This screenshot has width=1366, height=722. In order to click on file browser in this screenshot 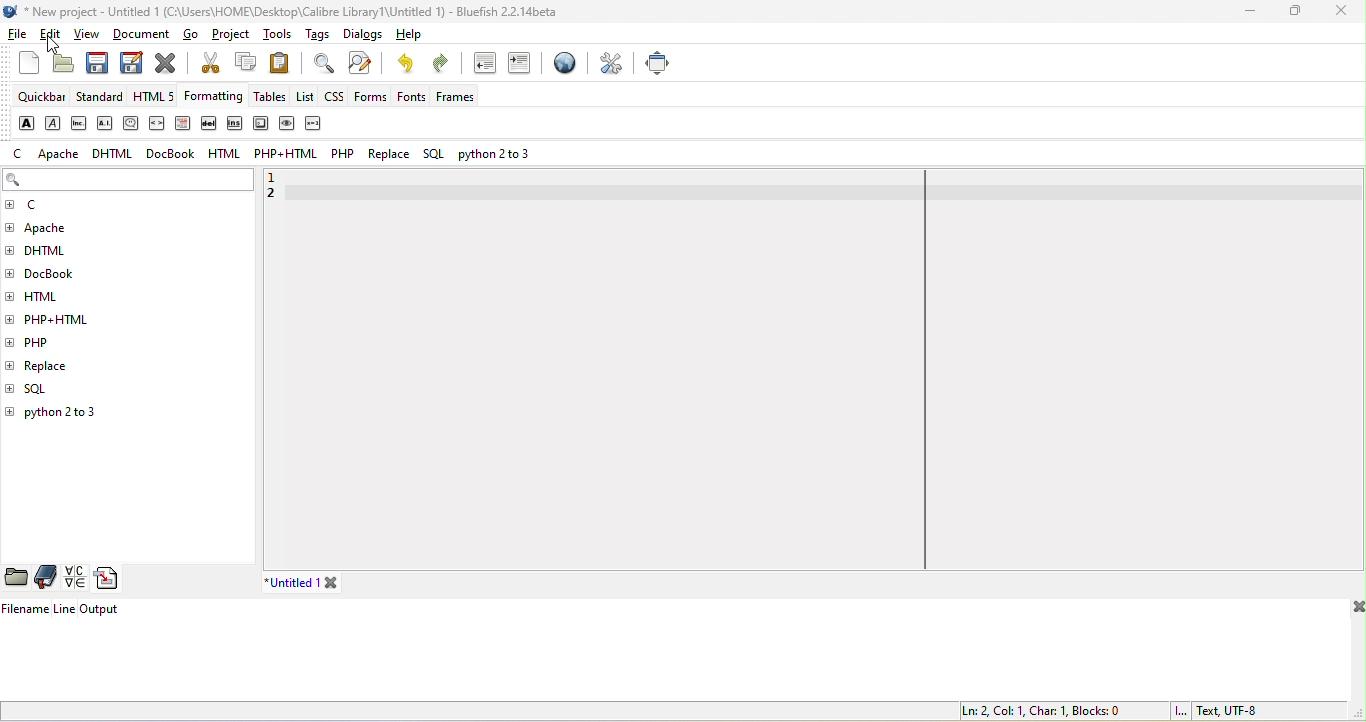, I will do `click(17, 578)`.